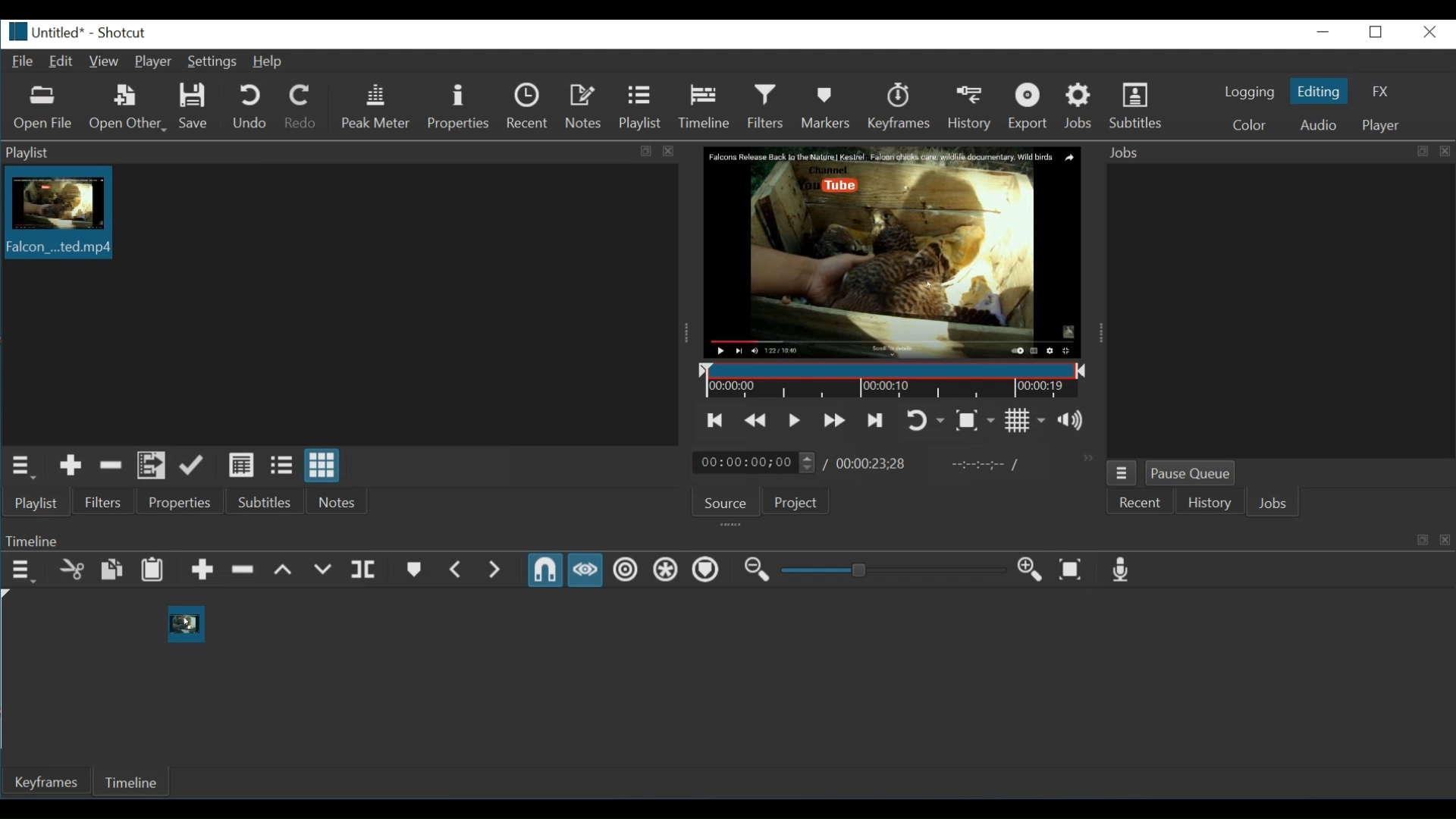 This screenshot has width=1456, height=819. I want to click on Skip to the next point, so click(873, 420).